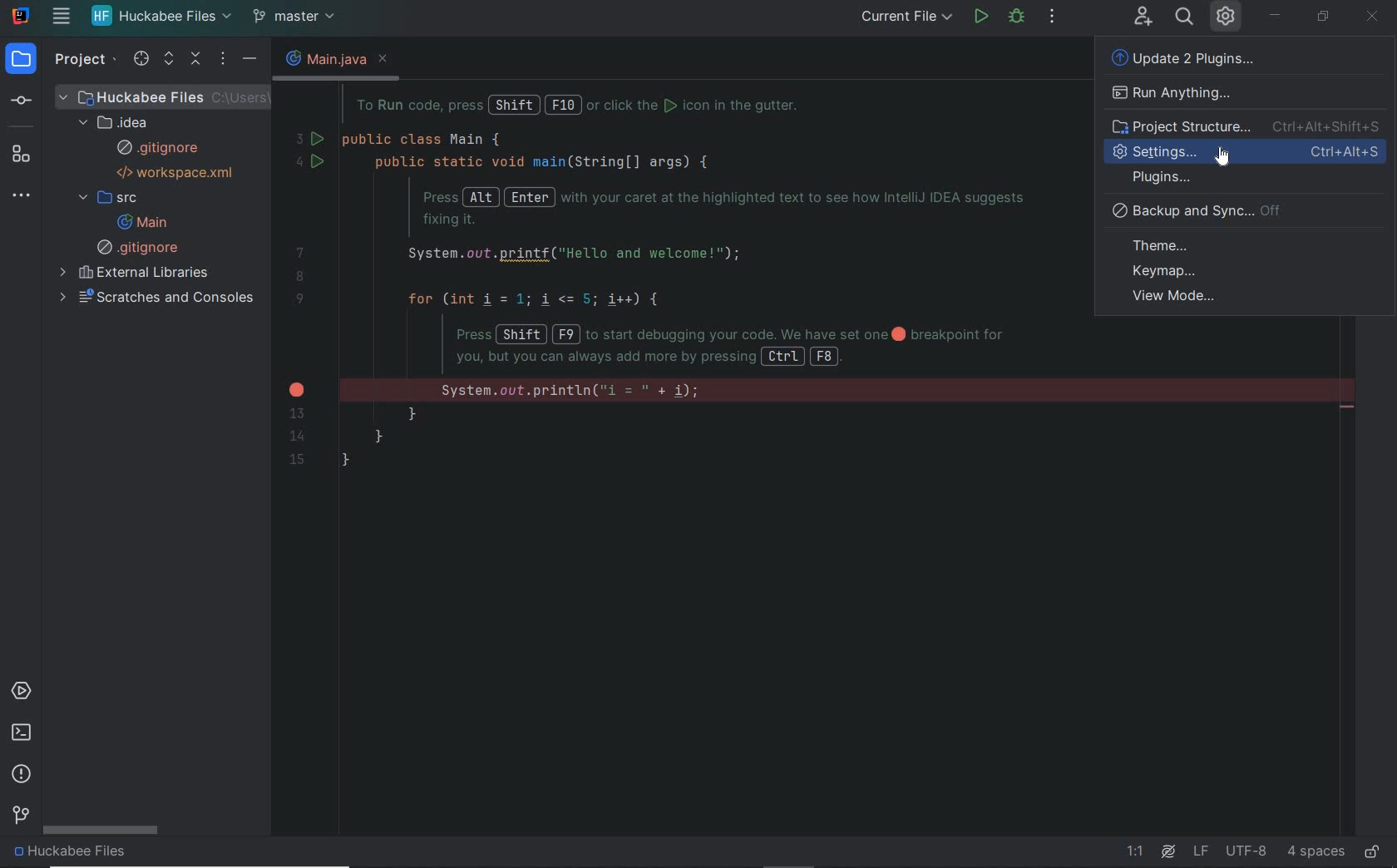 This screenshot has height=868, width=1397. Describe the element at coordinates (1243, 271) in the screenshot. I see `keymap` at that location.